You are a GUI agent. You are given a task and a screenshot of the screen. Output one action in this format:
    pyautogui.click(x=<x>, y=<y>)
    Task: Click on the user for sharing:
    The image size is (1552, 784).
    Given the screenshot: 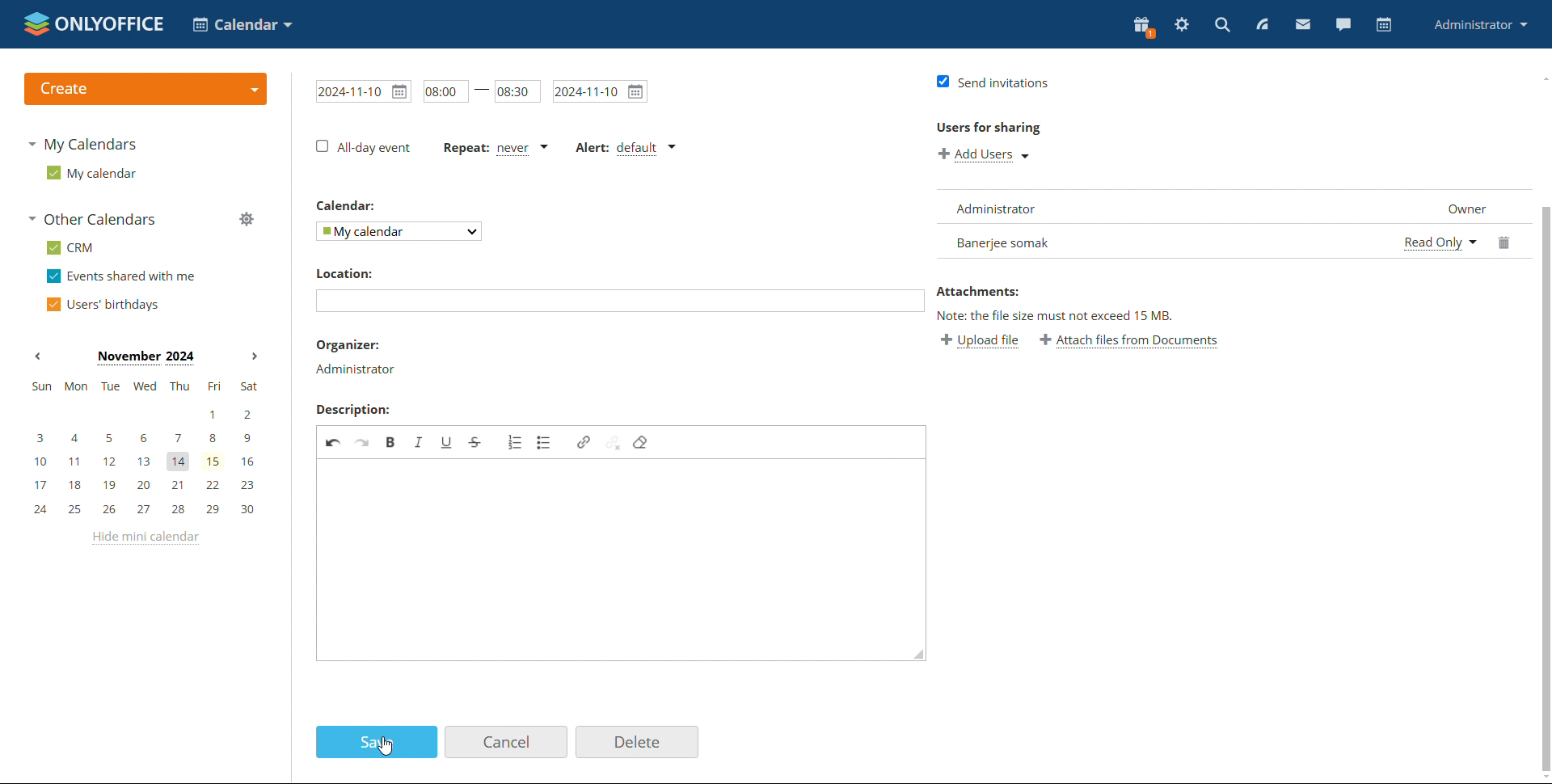 What is the action you would take?
    pyautogui.click(x=1012, y=129)
    